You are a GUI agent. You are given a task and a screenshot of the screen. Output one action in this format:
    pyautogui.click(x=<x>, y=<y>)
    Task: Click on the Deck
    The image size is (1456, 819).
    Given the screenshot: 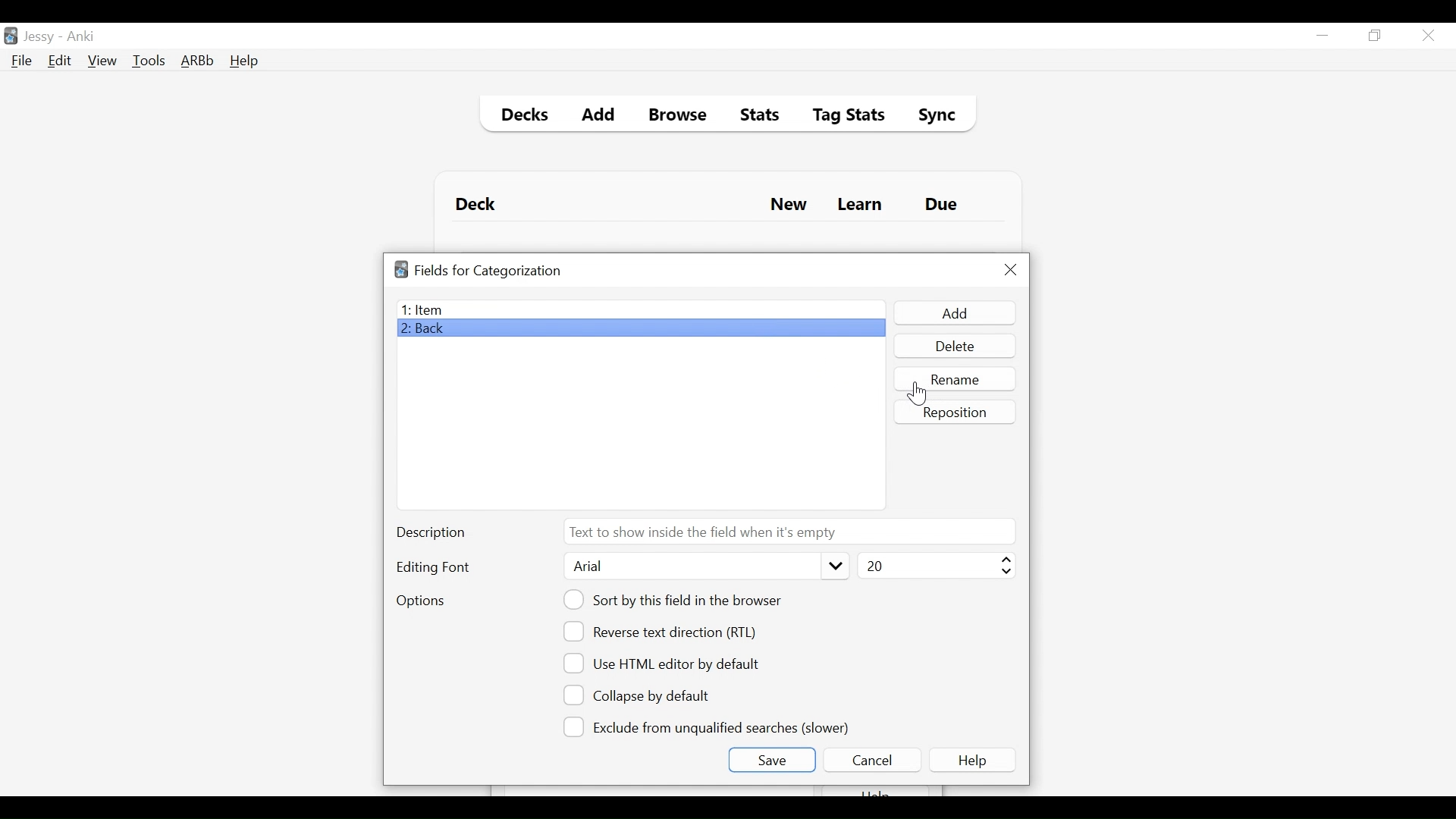 What is the action you would take?
    pyautogui.click(x=479, y=205)
    